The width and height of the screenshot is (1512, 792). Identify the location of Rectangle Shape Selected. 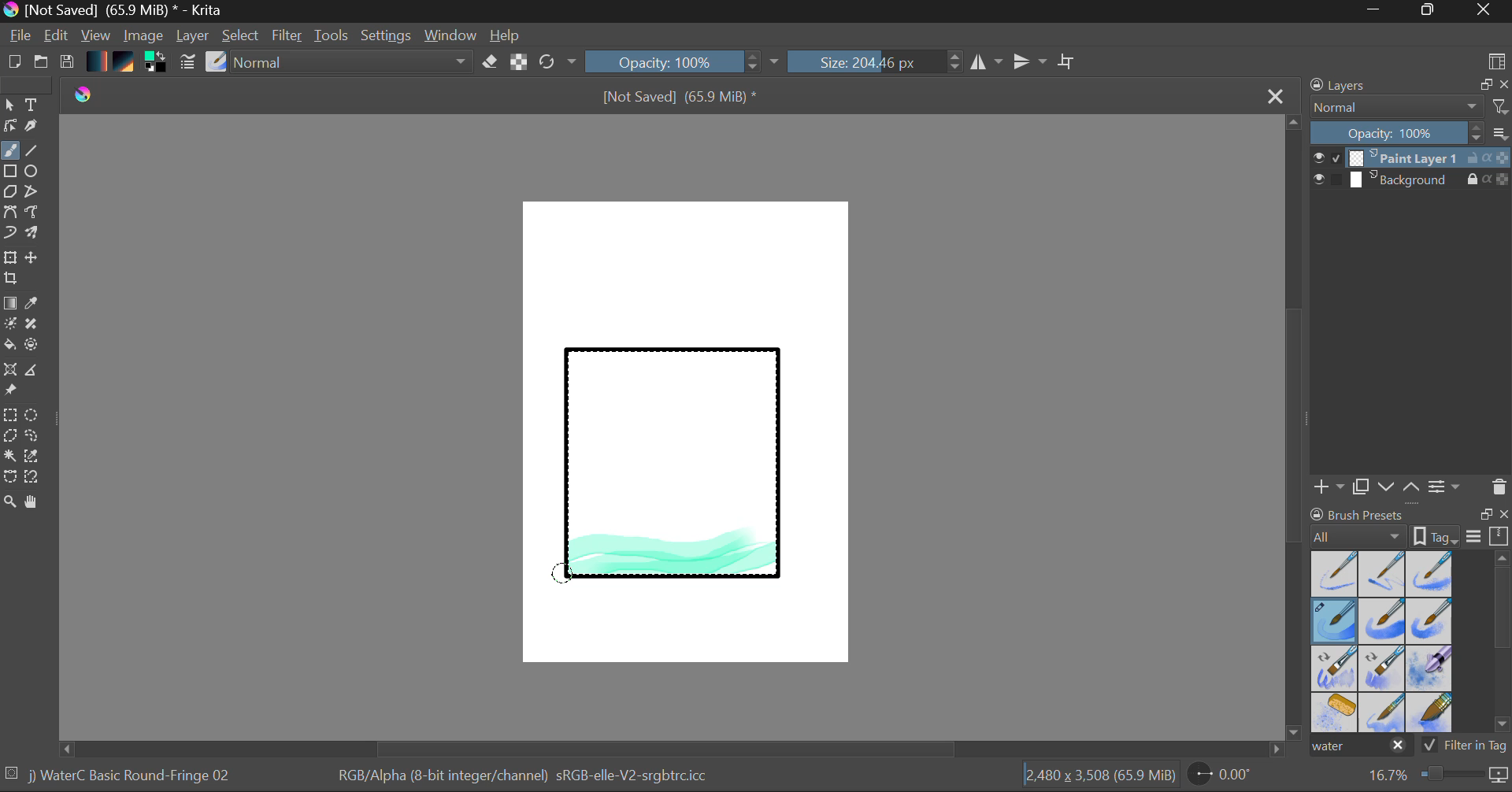
(674, 479).